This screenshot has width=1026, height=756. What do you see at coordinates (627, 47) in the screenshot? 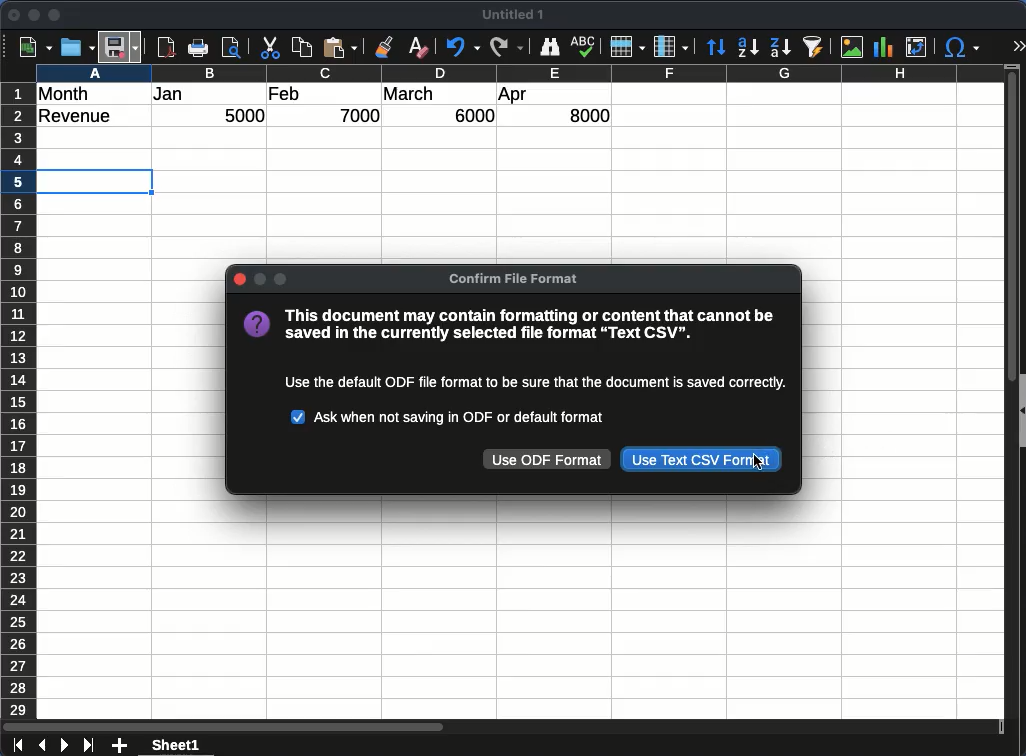
I see `row` at bounding box center [627, 47].